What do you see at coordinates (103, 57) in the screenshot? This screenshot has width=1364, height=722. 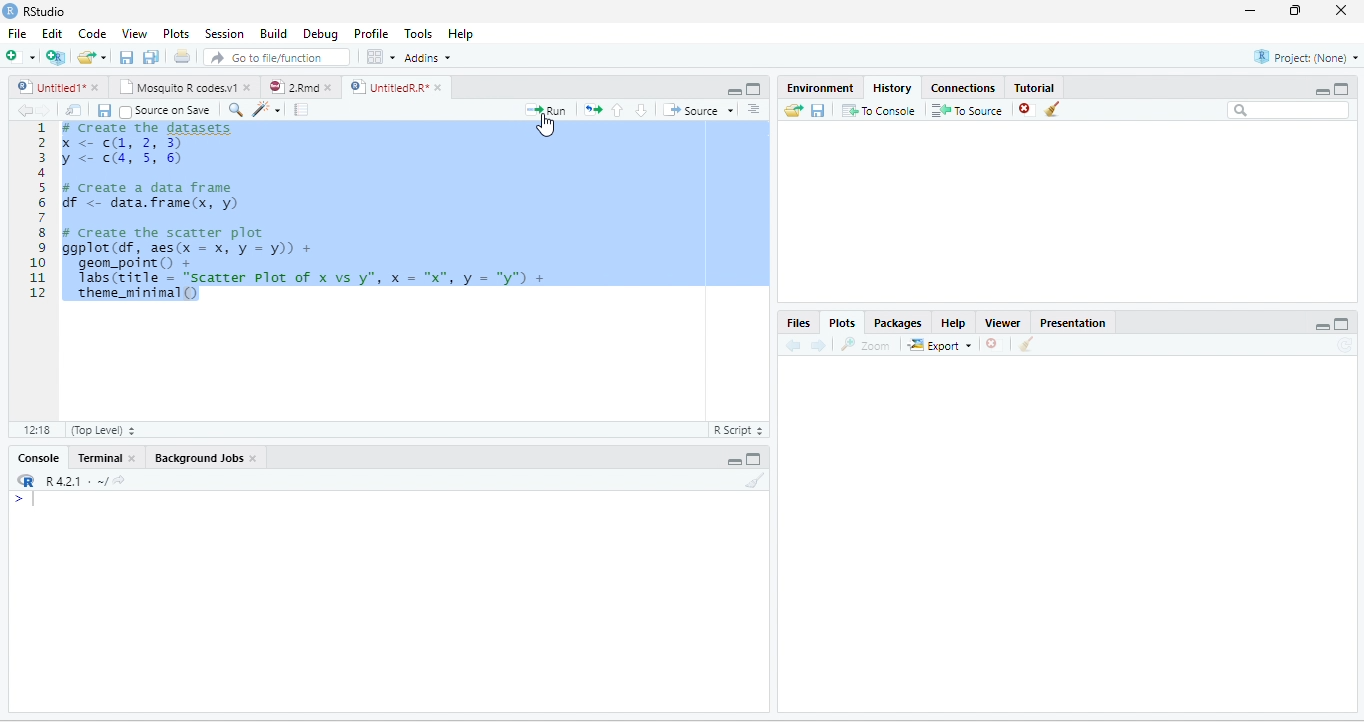 I see `Open recent files` at bounding box center [103, 57].